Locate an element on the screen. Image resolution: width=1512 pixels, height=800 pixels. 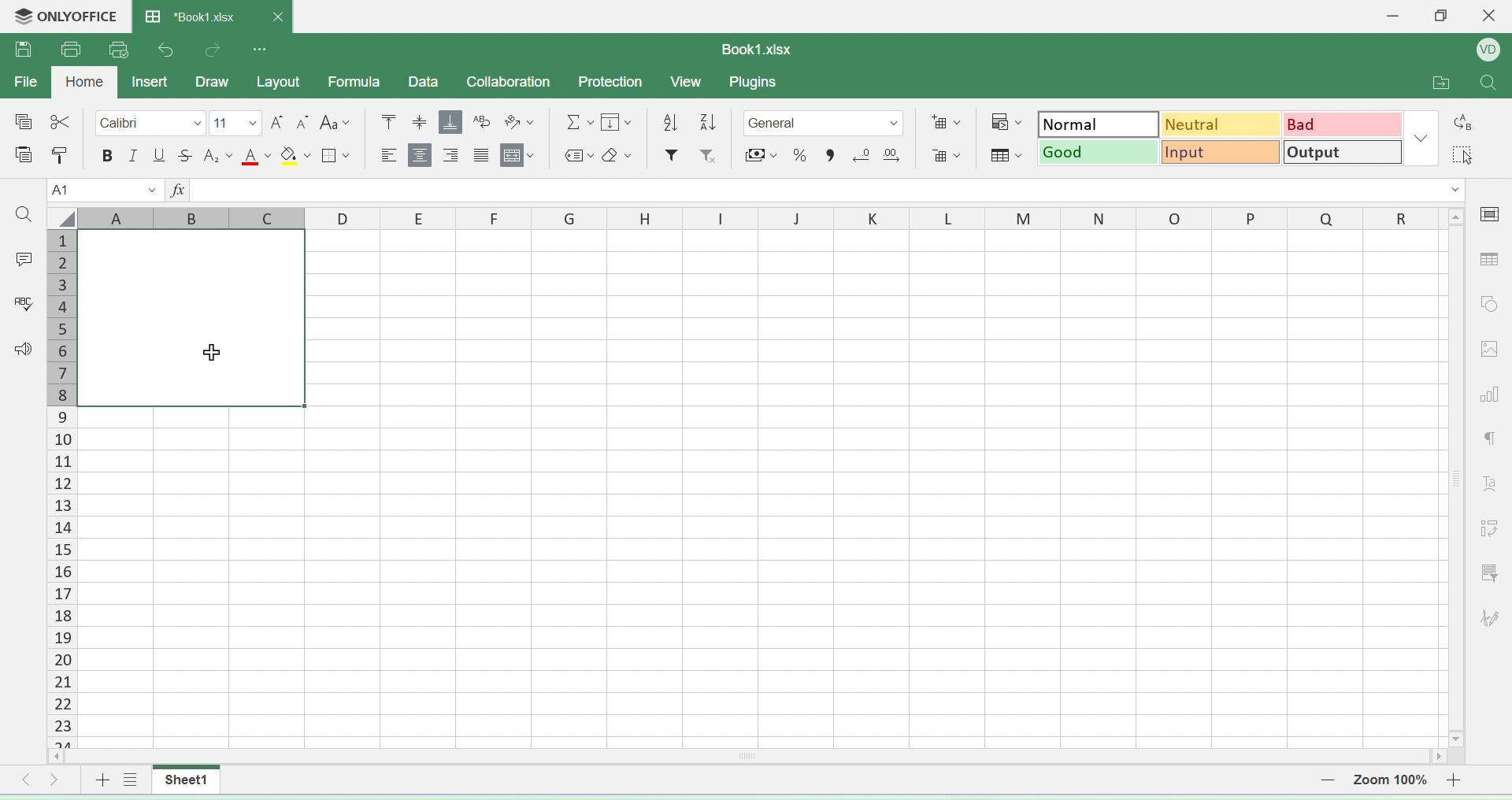
comma is located at coordinates (837, 155).